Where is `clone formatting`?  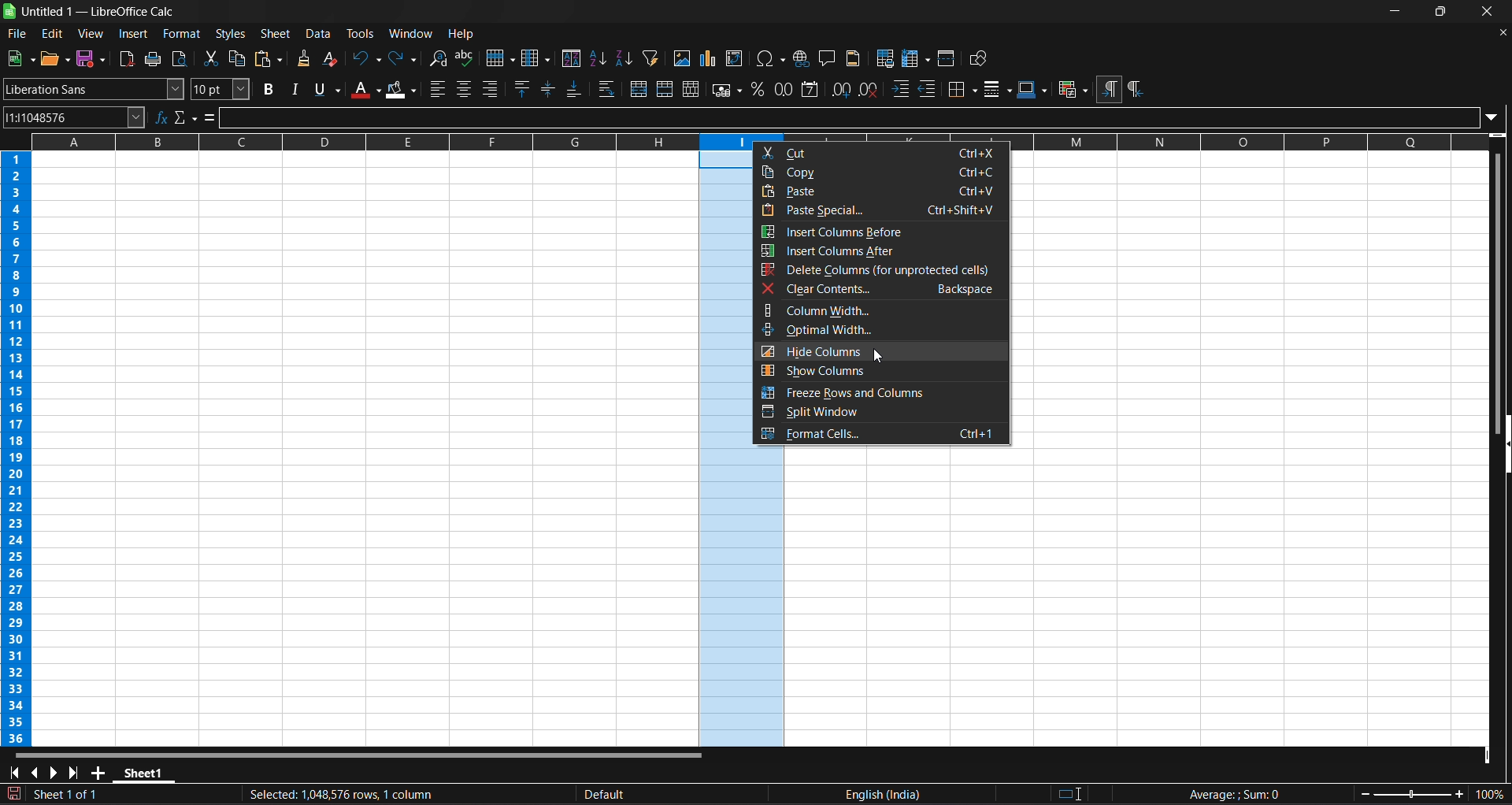 clone formatting is located at coordinates (306, 57).